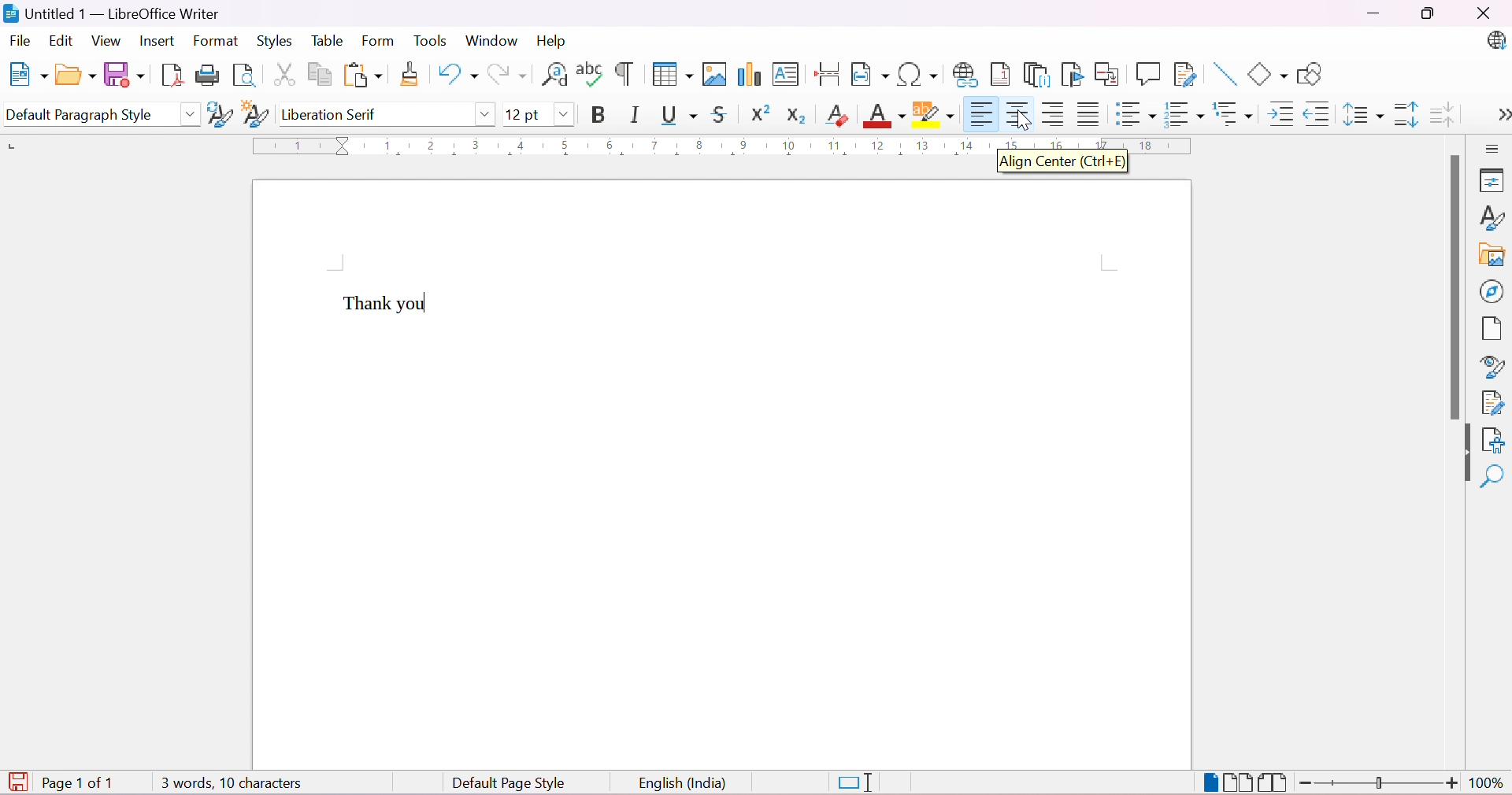 The image size is (1512, 795). What do you see at coordinates (30, 76) in the screenshot?
I see `New` at bounding box center [30, 76].